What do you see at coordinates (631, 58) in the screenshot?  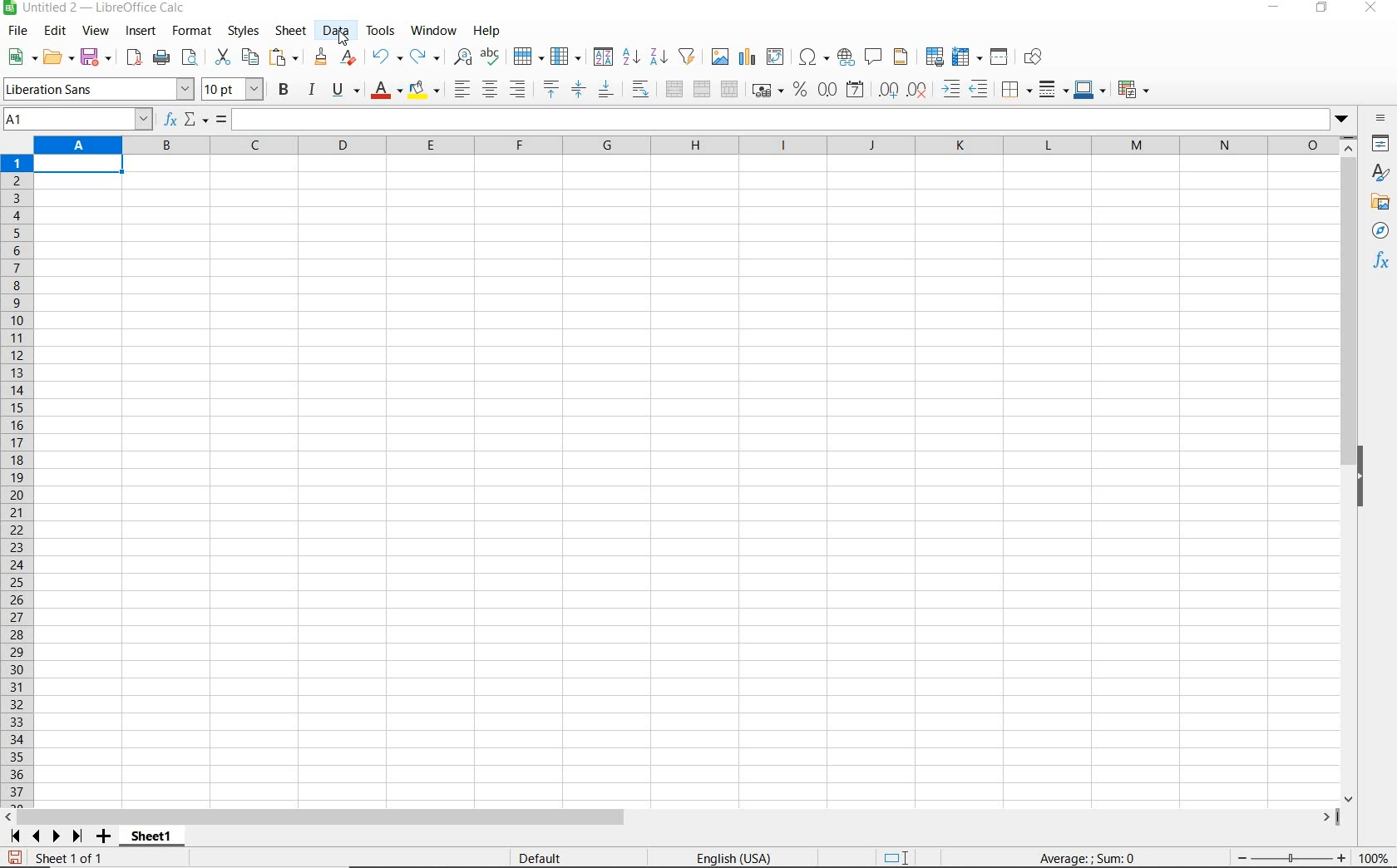 I see `sort ascending` at bounding box center [631, 58].